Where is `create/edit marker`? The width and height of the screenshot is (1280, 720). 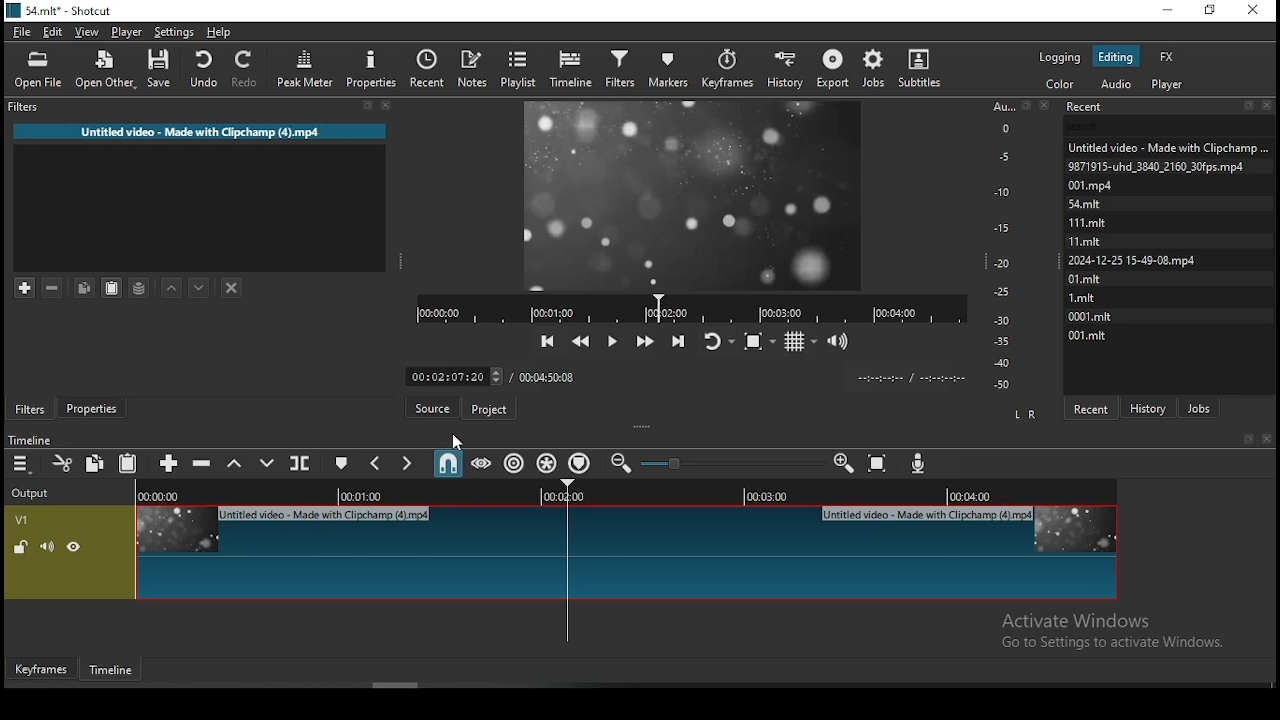 create/edit marker is located at coordinates (338, 463).